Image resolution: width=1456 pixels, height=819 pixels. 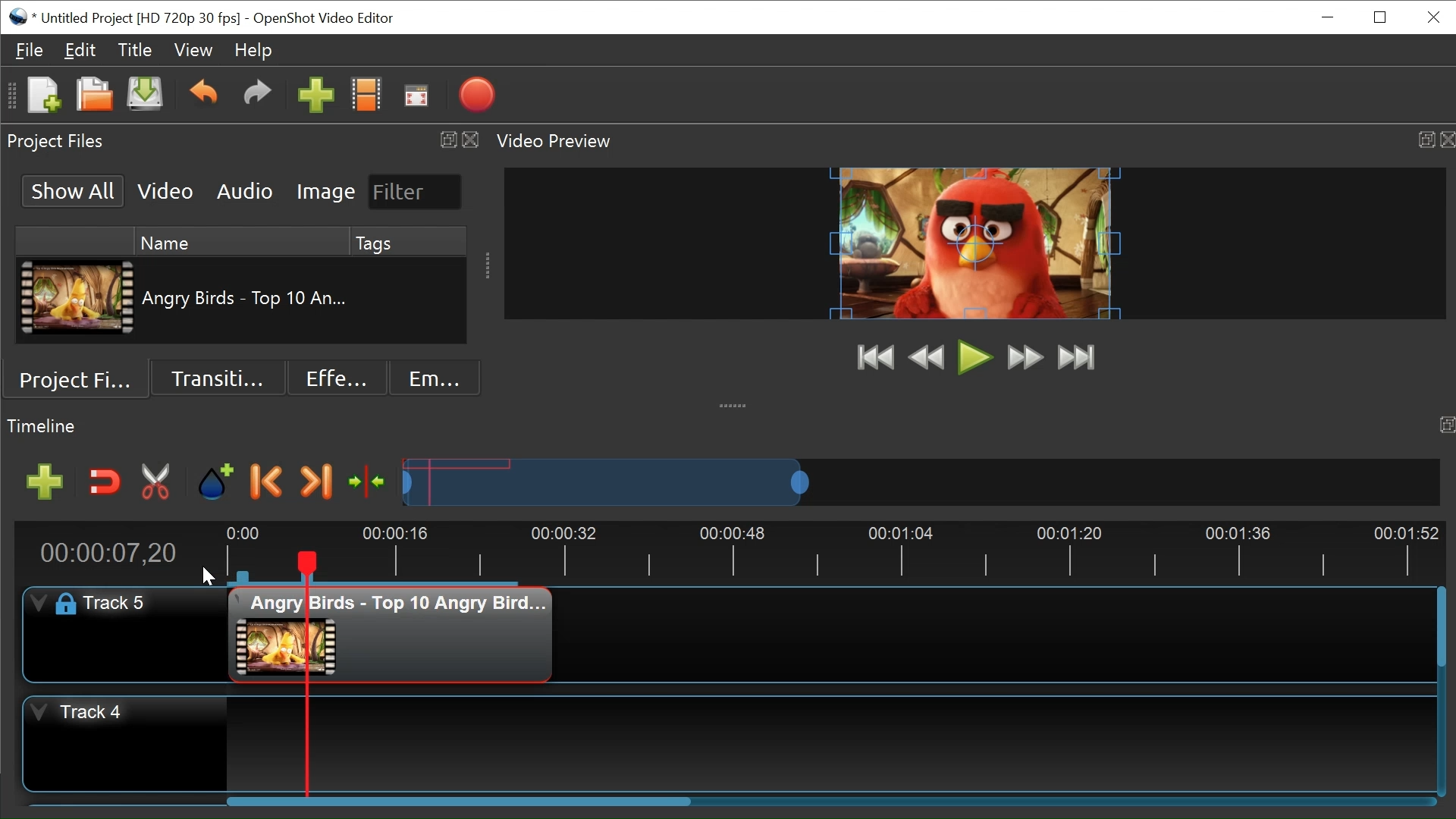 I want to click on OpenShot Video Editor, so click(x=331, y=18).